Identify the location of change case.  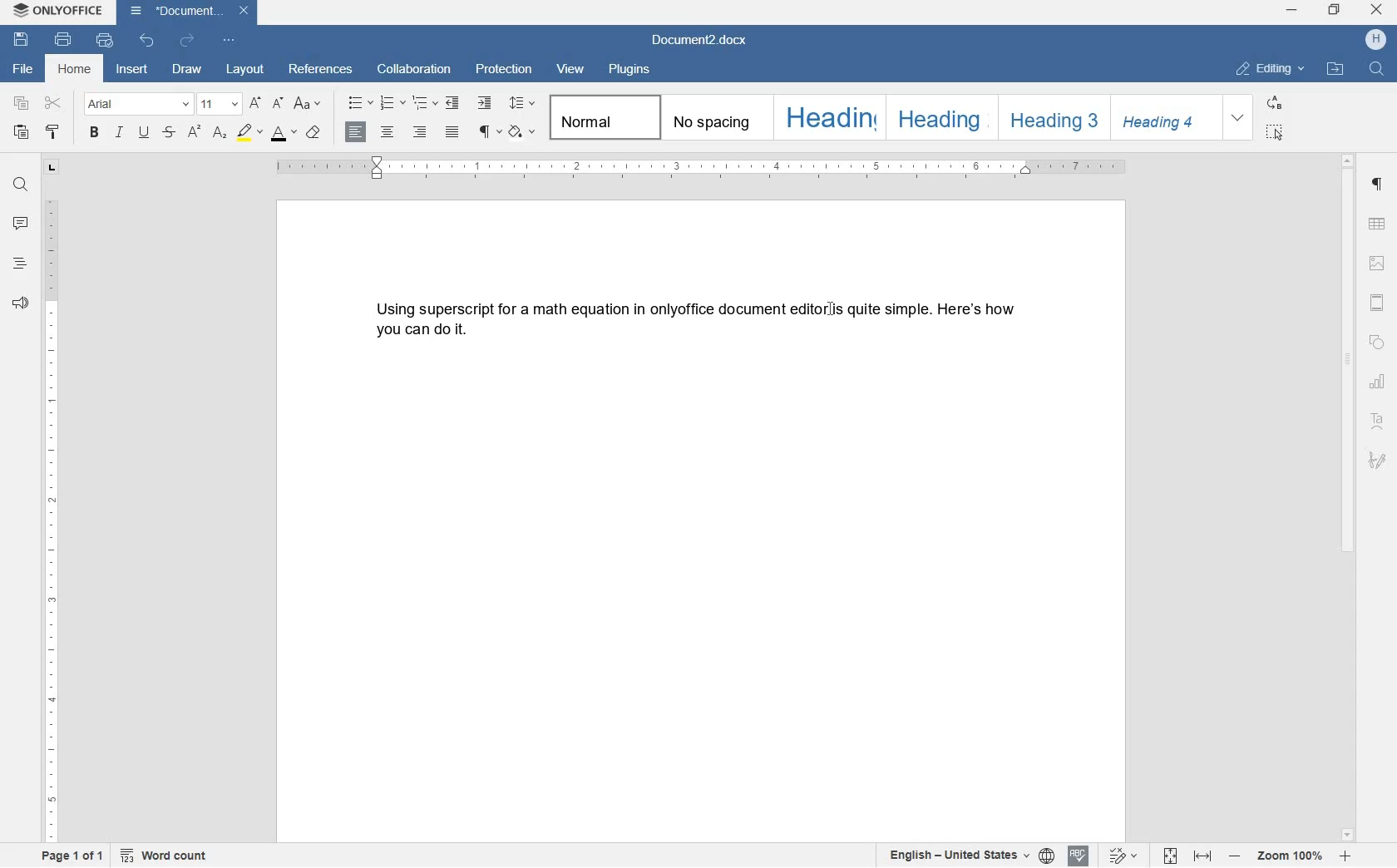
(309, 104).